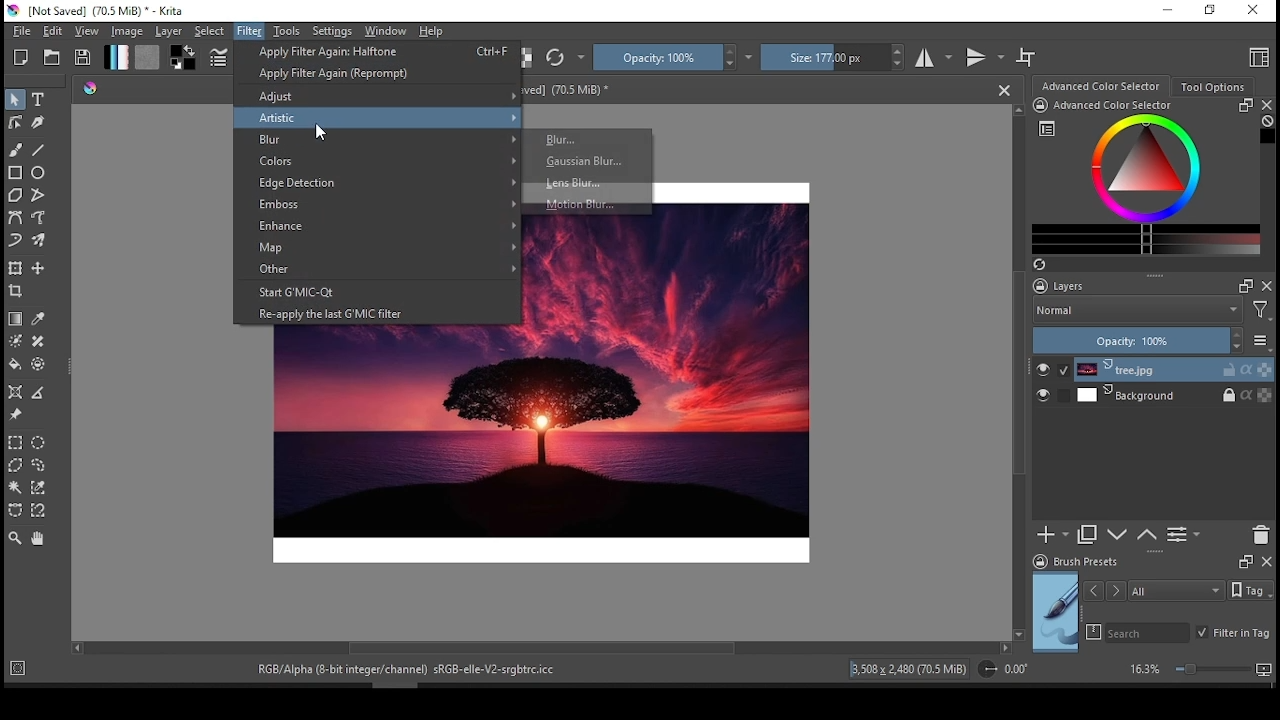 This screenshot has width=1280, height=720. I want to click on brush presets, so click(1107, 562).